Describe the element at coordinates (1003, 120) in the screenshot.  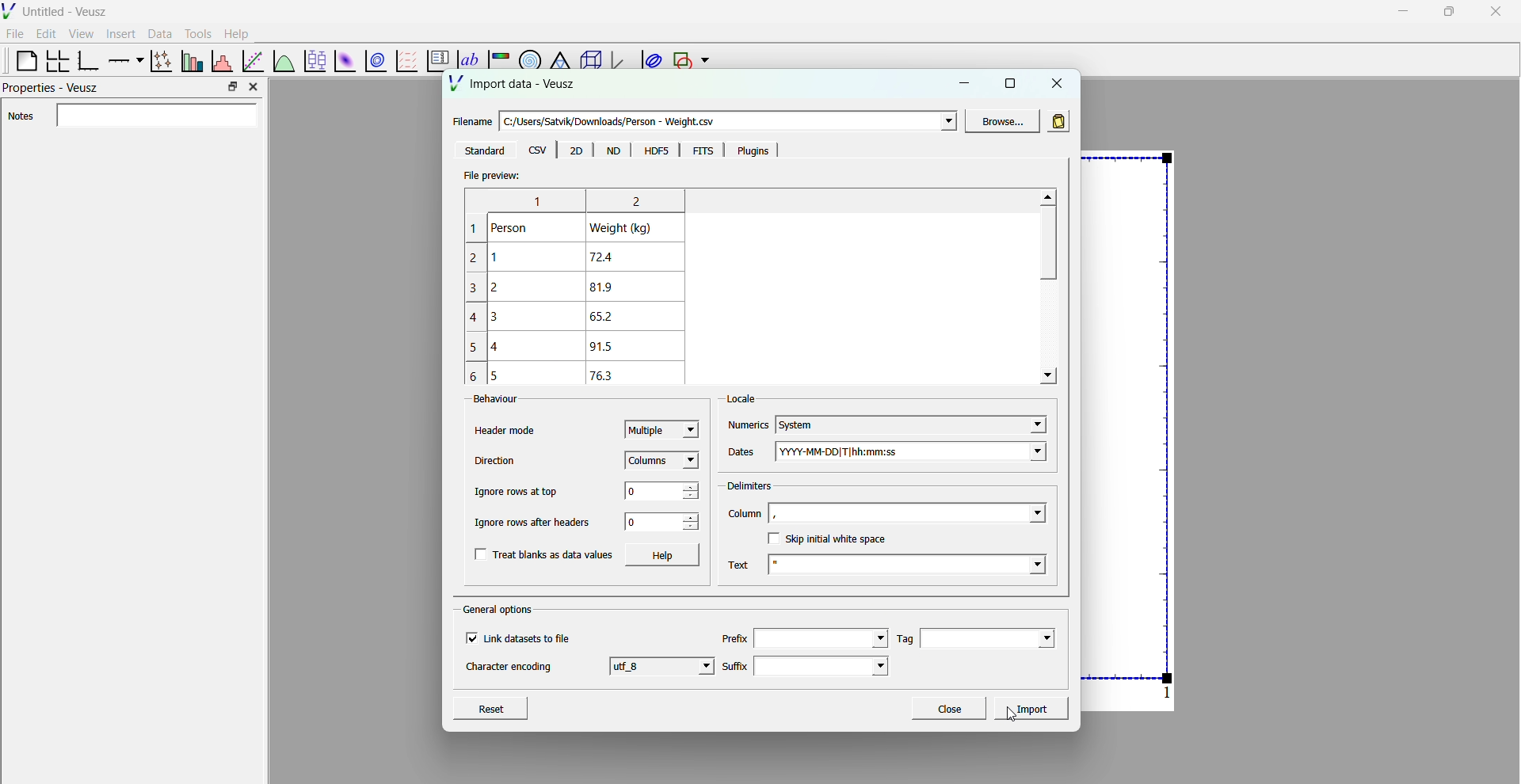
I see `Browse` at that location.